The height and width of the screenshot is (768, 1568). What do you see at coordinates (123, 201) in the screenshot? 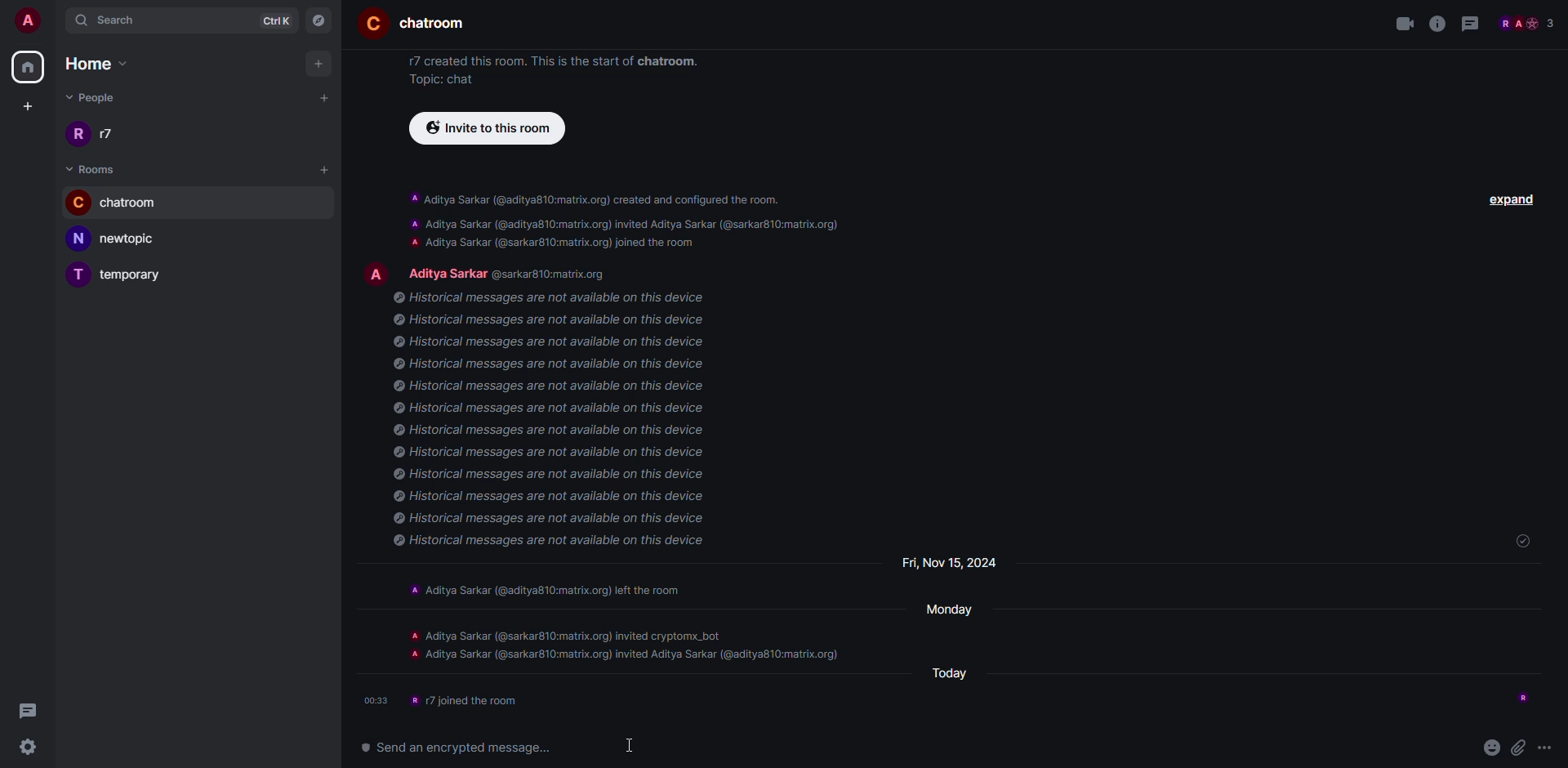
I see `chatroom` at bounding box center [123, 201].